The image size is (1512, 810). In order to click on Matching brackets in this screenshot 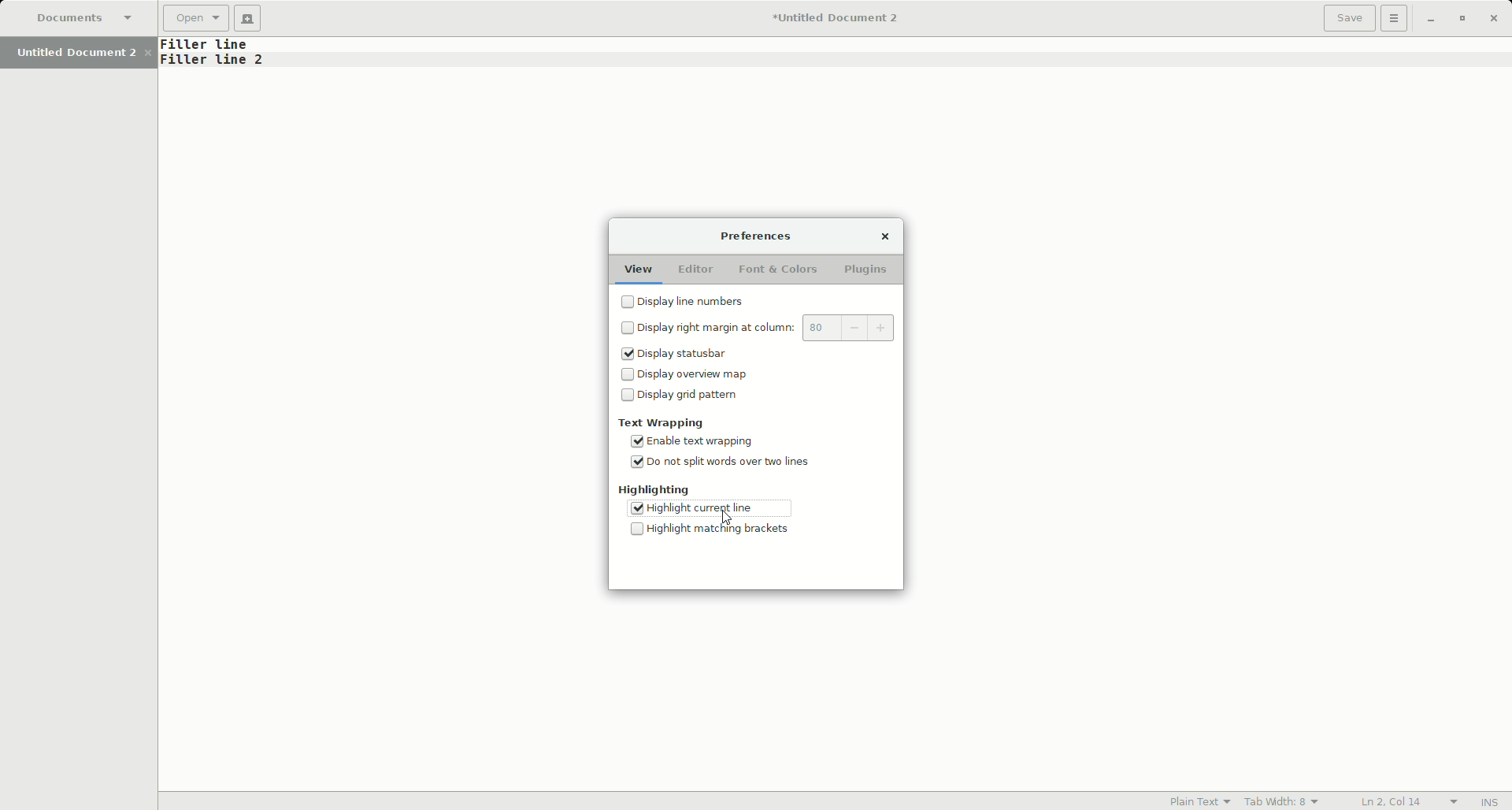, I will do `click(717, 531)`.